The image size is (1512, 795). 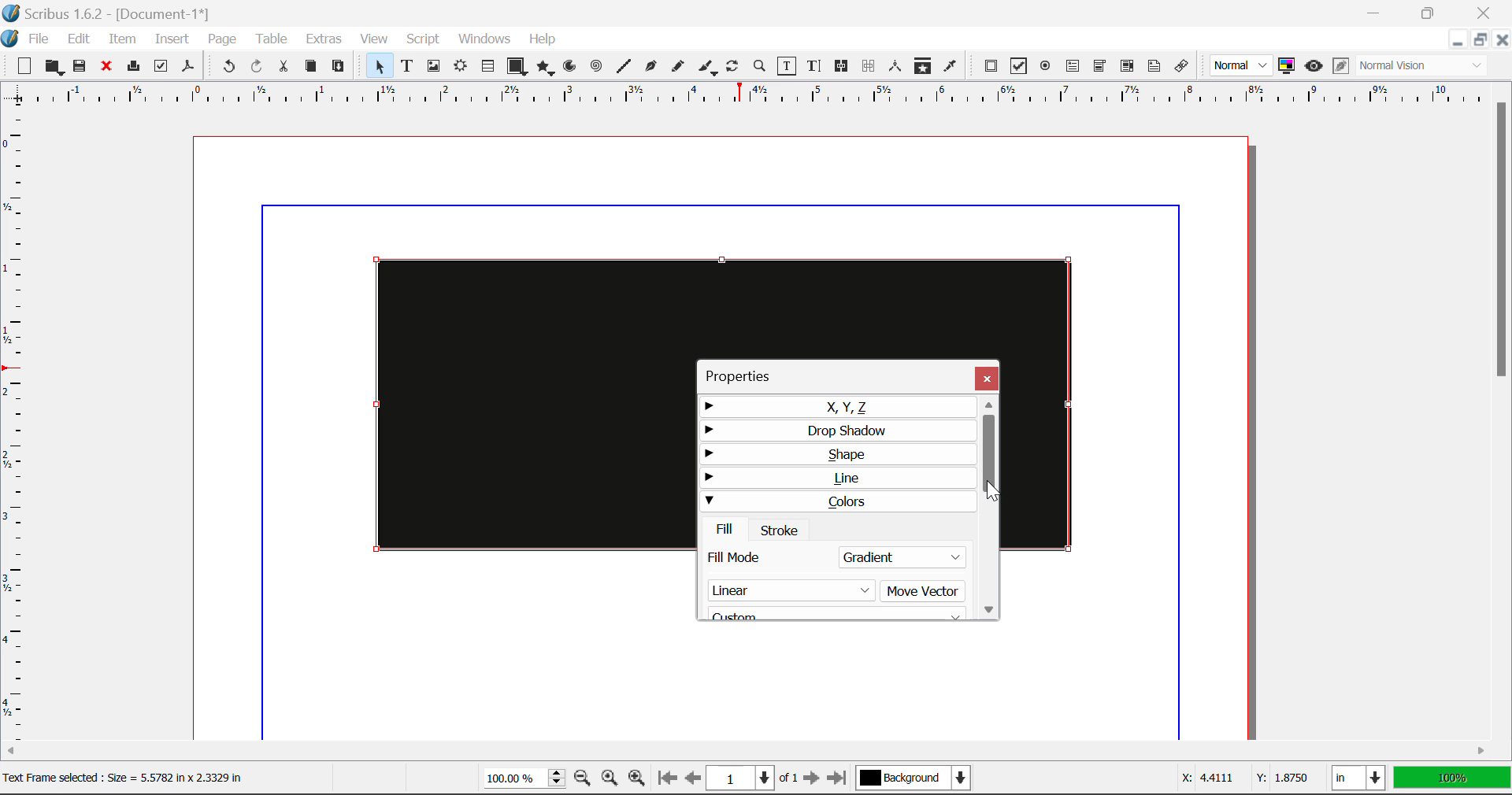 I want to click on Properties, so click(x=747, y=376).